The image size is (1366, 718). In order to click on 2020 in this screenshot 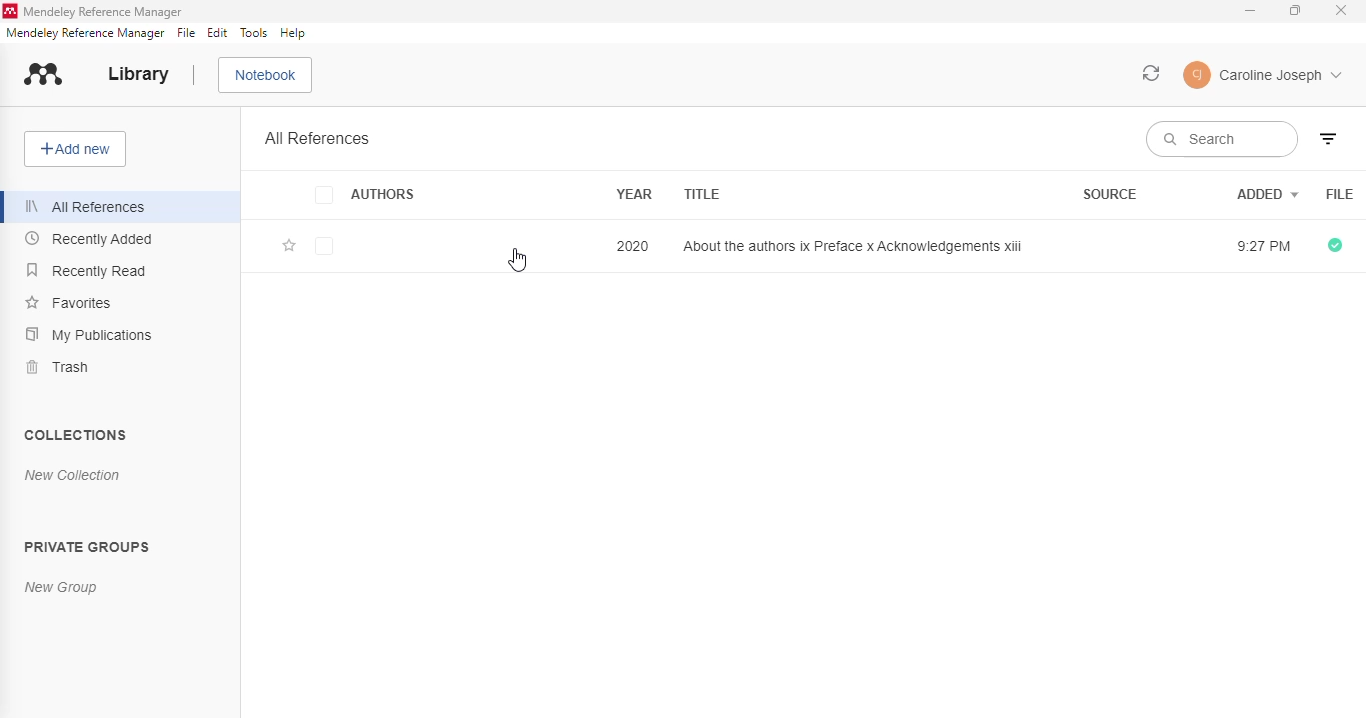, I will do `click(633, 245)`.